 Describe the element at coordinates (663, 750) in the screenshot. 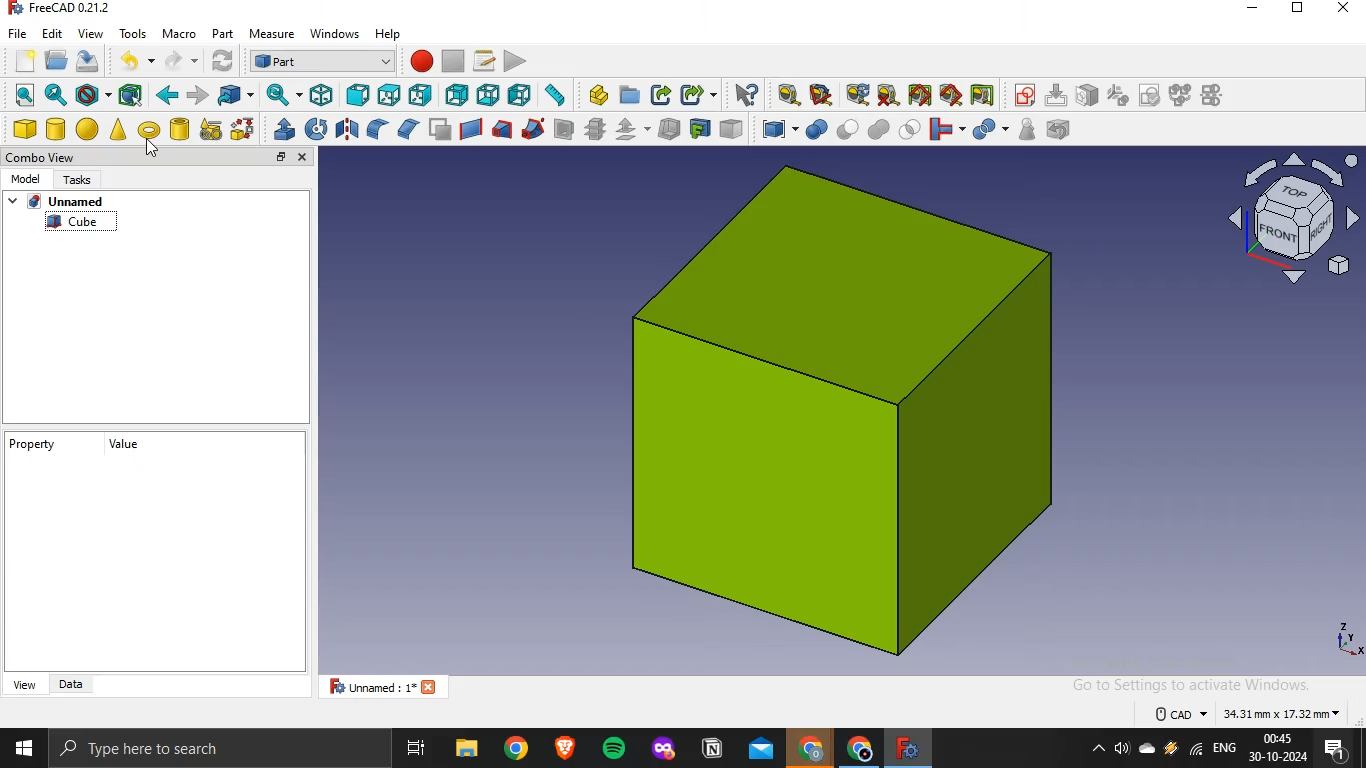

I see `mozilla firefox` at that location.